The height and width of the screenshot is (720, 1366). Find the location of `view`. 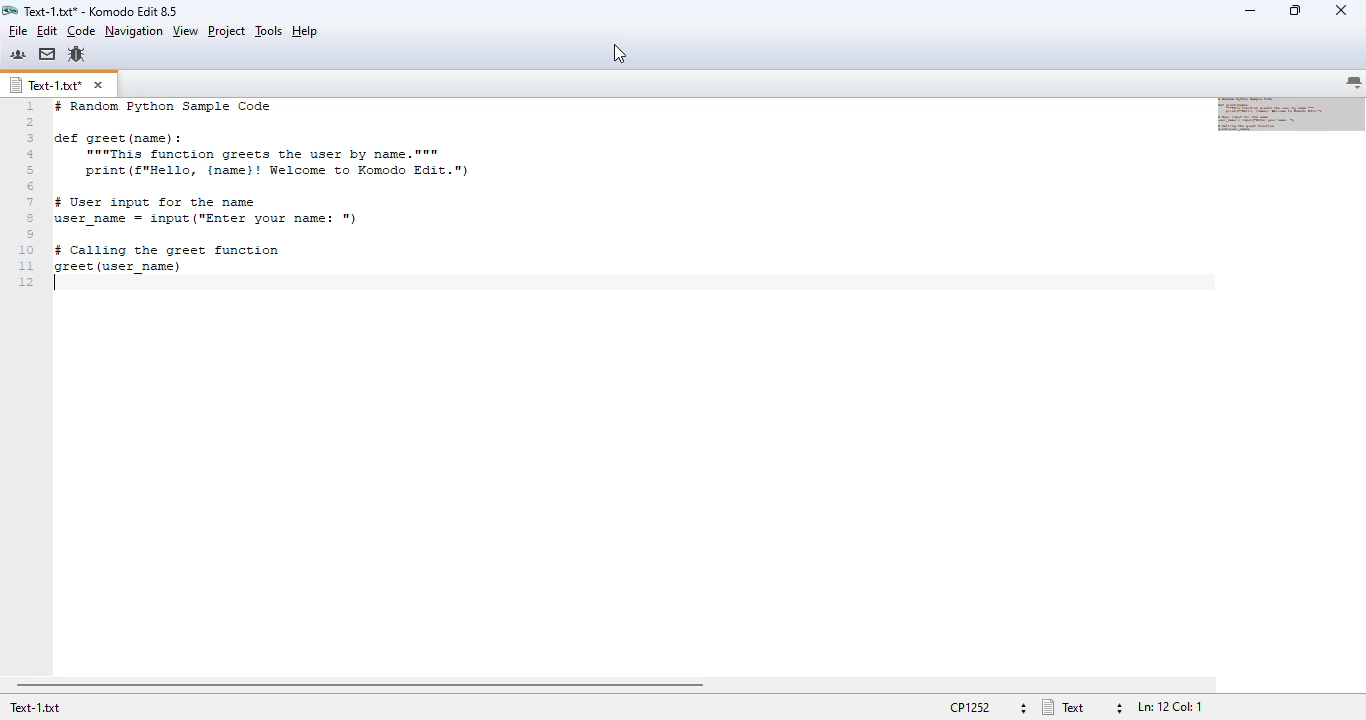

view is located at coordinates (185, 31).